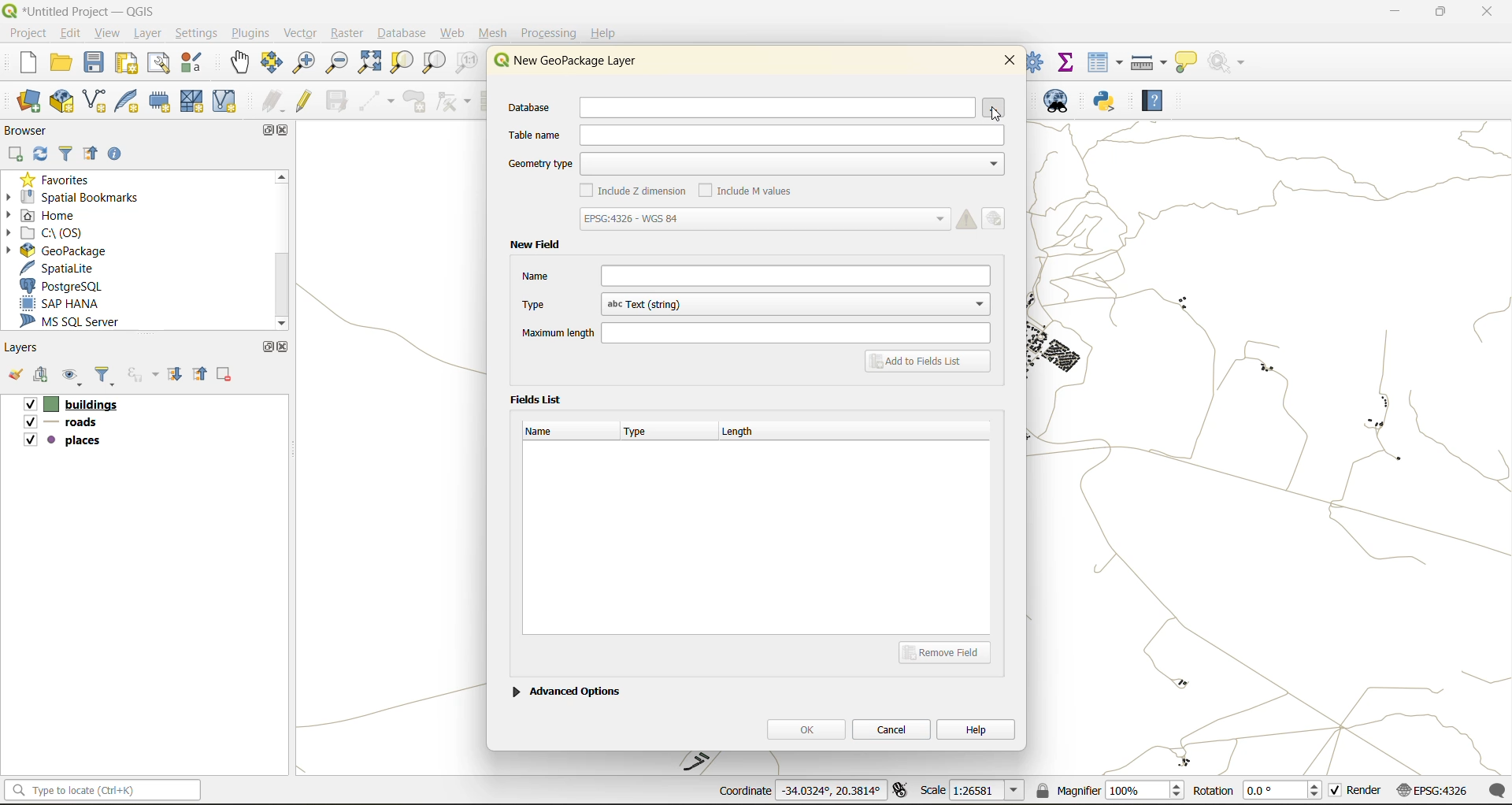 The width and height of the screenshot is (1512, 805). Describe the element at coordinates (1106, 790) in the screenshot. I see `magnifier(100%)` at that location.